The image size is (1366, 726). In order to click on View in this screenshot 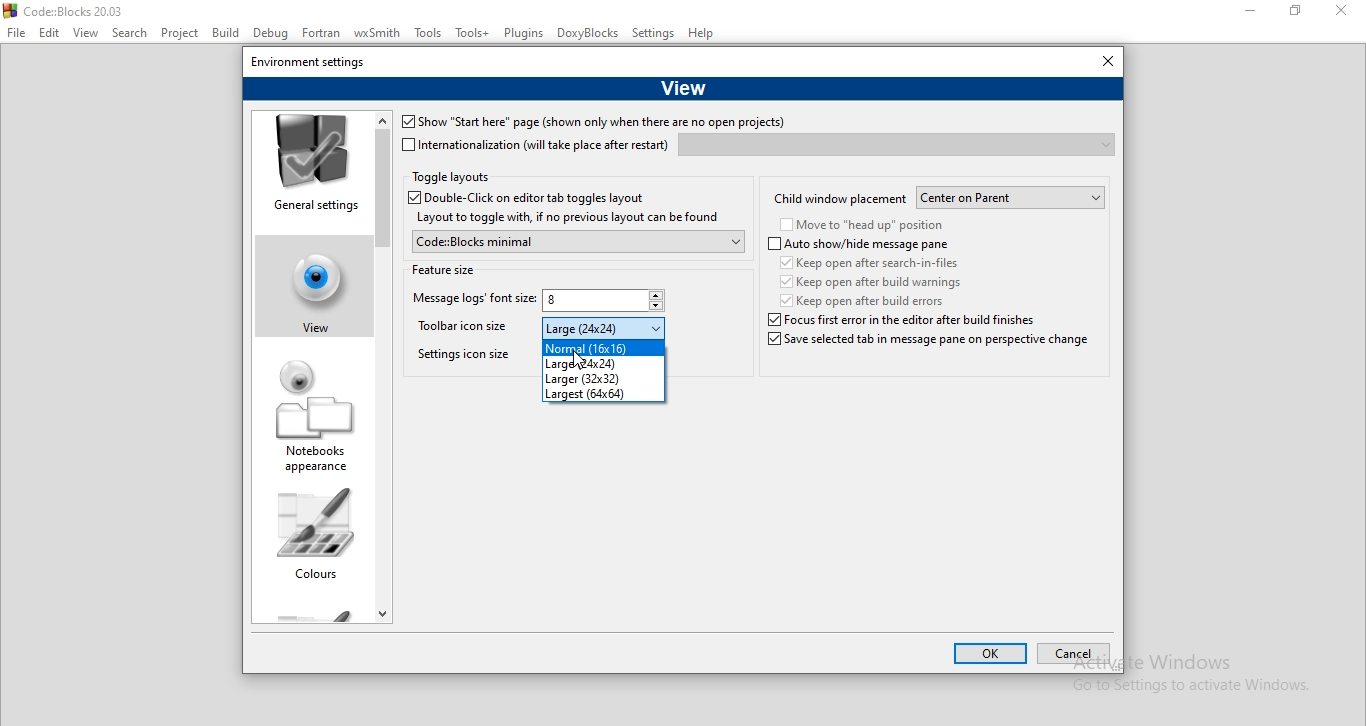, I will do `click(683, 86)`.